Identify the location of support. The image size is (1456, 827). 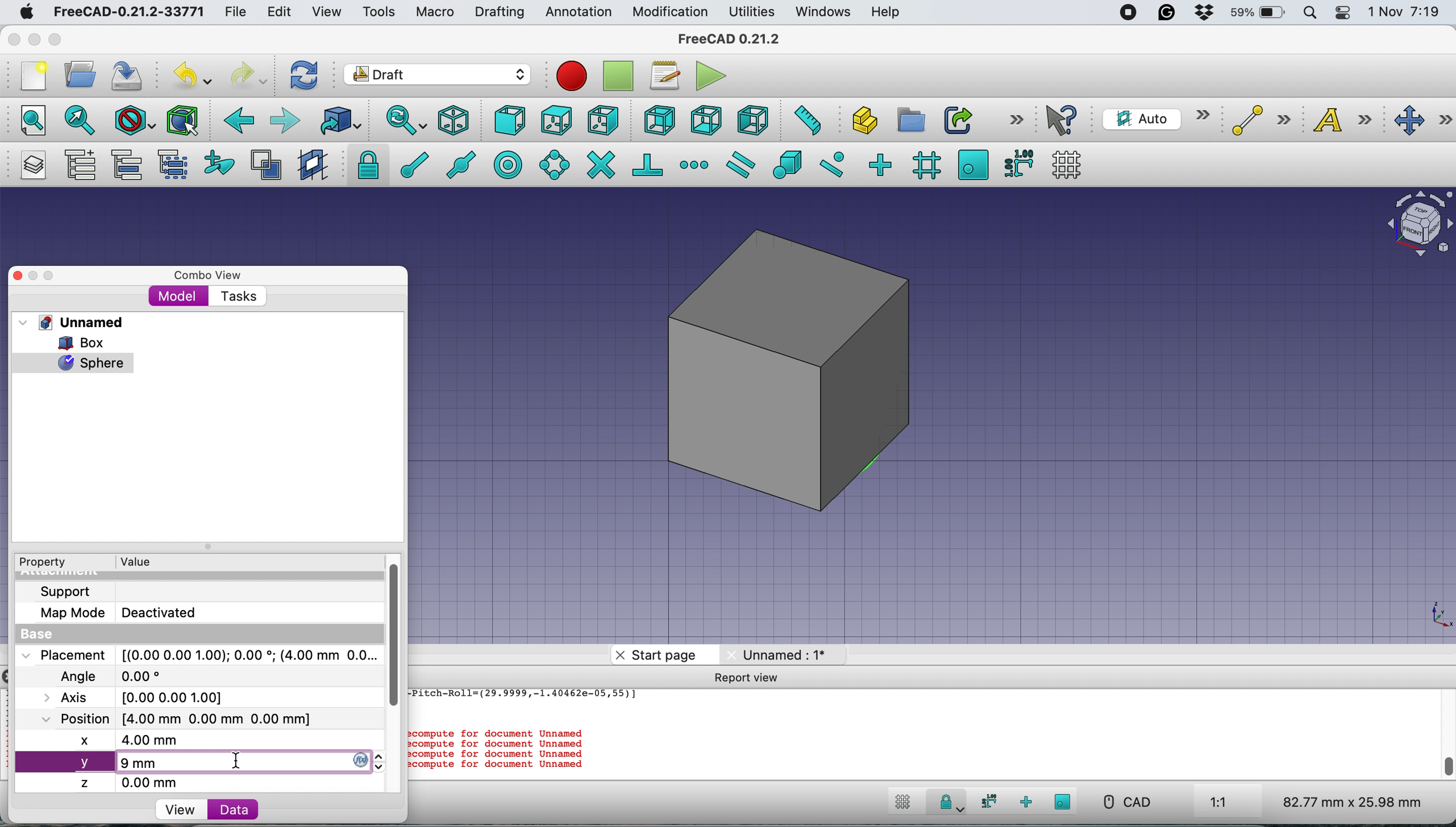
(69, 590).